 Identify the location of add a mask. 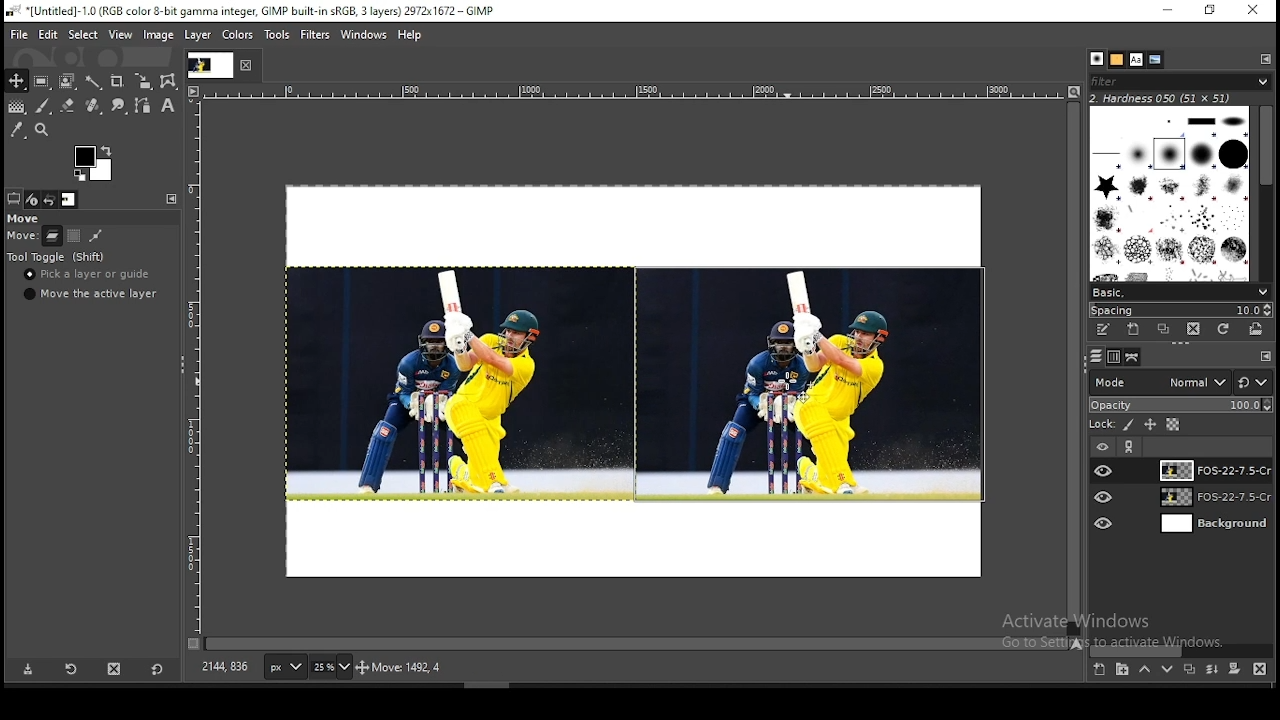
(1232, 670).